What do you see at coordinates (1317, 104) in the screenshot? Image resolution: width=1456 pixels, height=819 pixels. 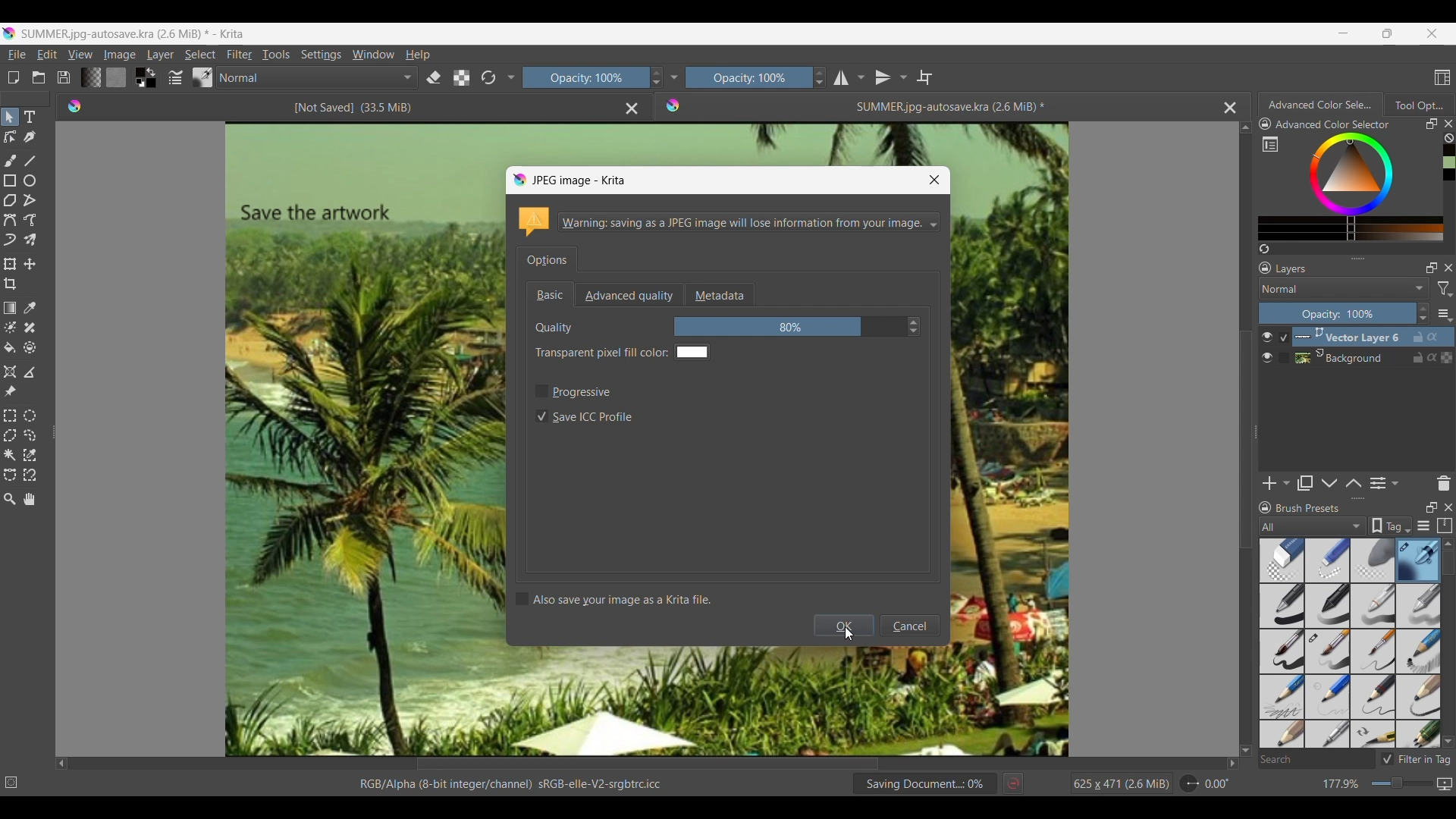 I see `Current tab` at bounding box center [1317, 104].